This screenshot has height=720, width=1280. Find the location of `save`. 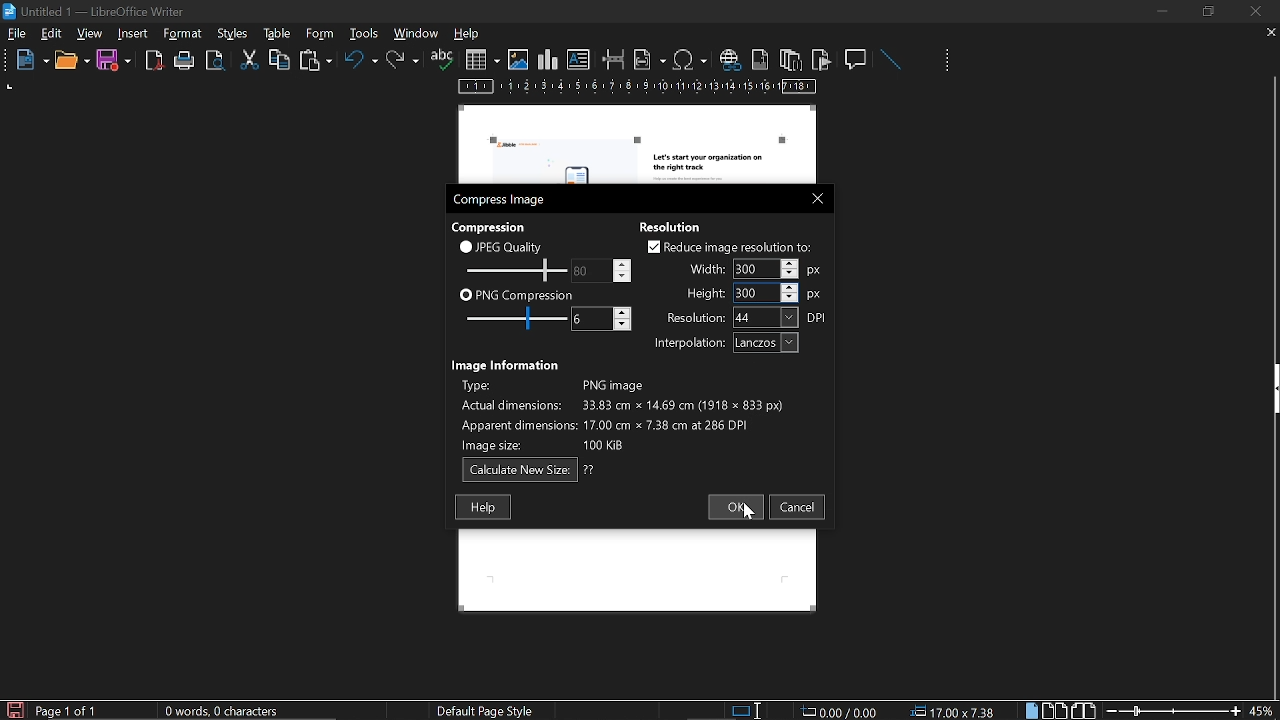

save is located at coordinates (114, 61).